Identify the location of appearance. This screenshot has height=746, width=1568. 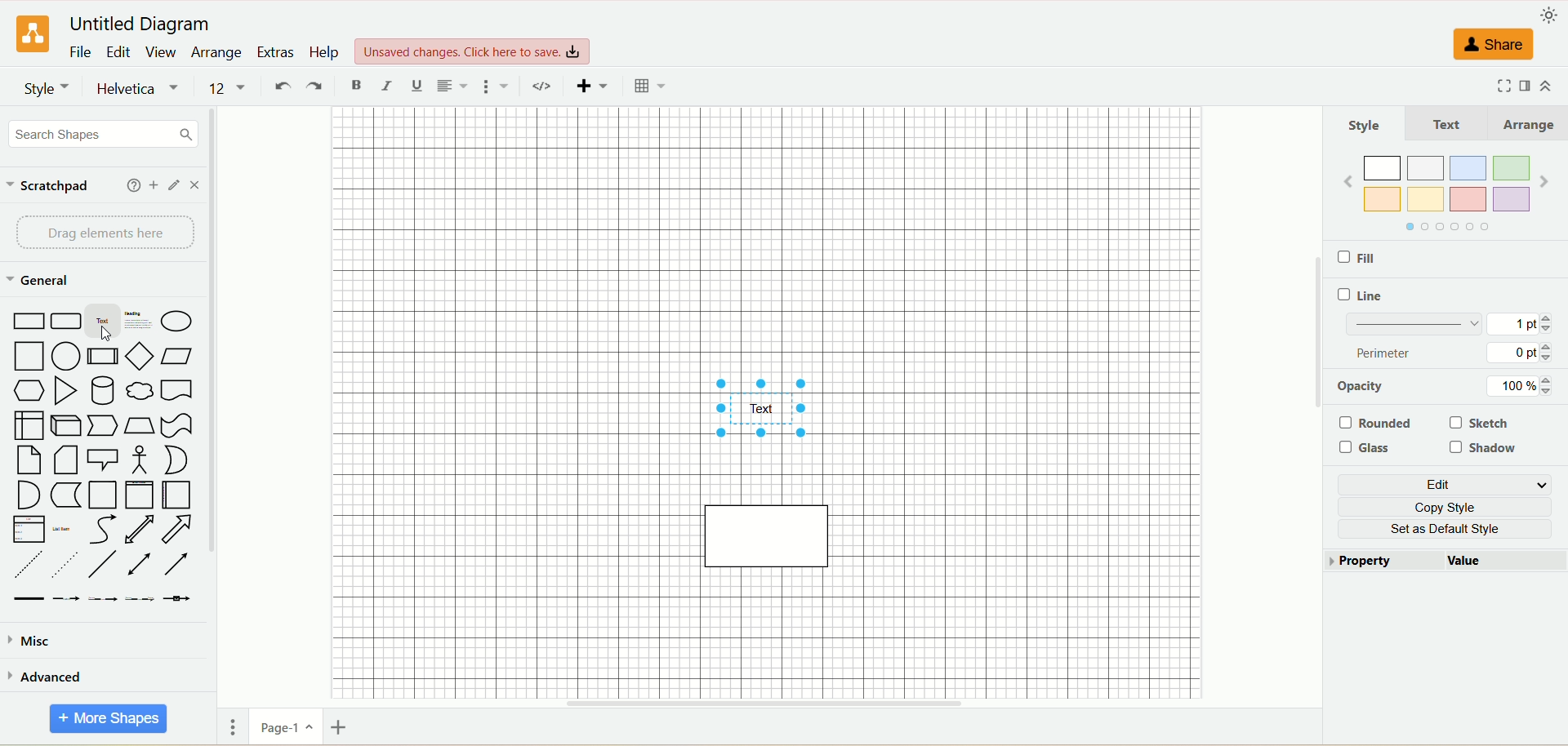
(1552, 15).